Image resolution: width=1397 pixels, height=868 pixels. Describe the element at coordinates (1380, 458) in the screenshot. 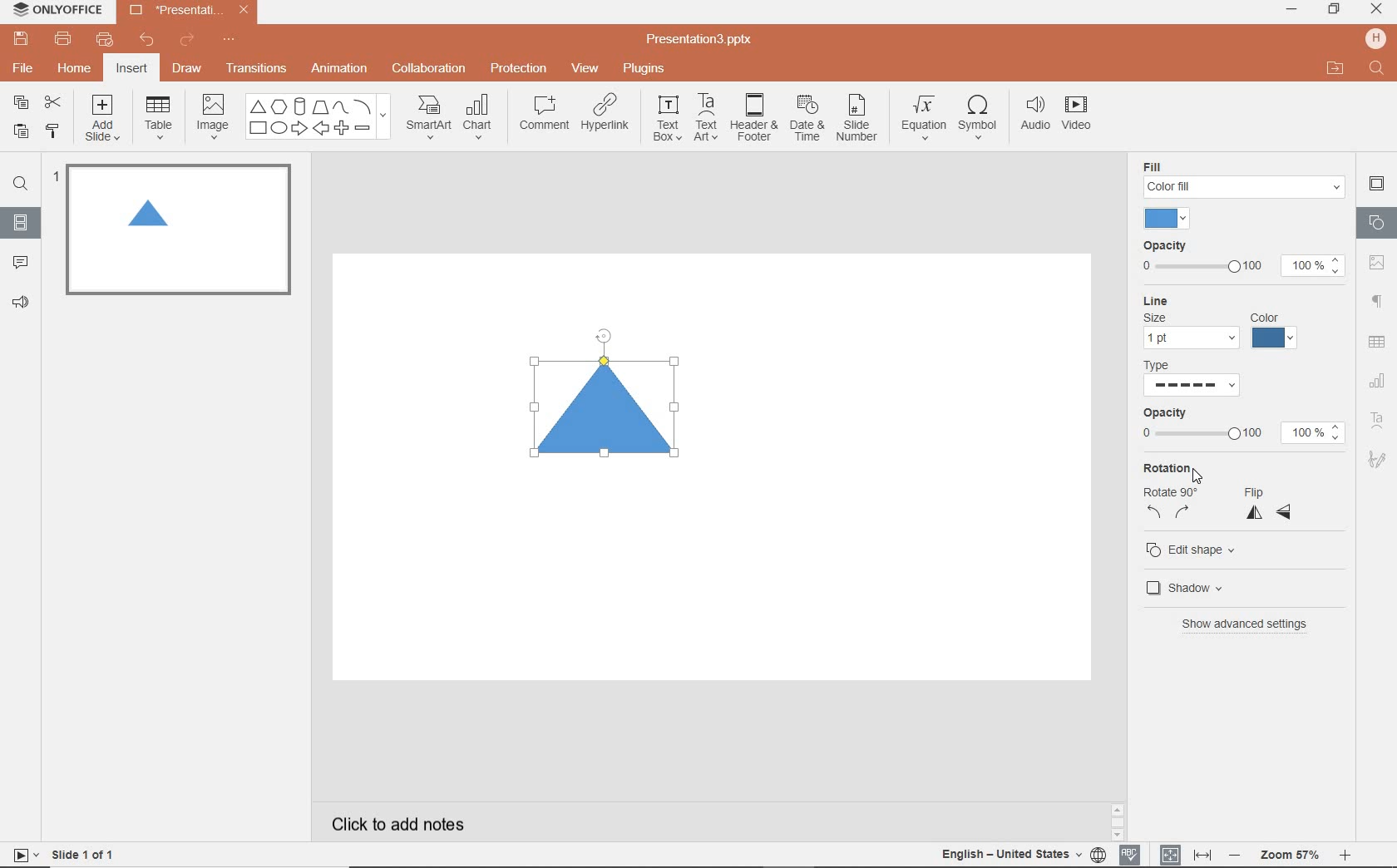

I see `SIGNATURE` at that location.